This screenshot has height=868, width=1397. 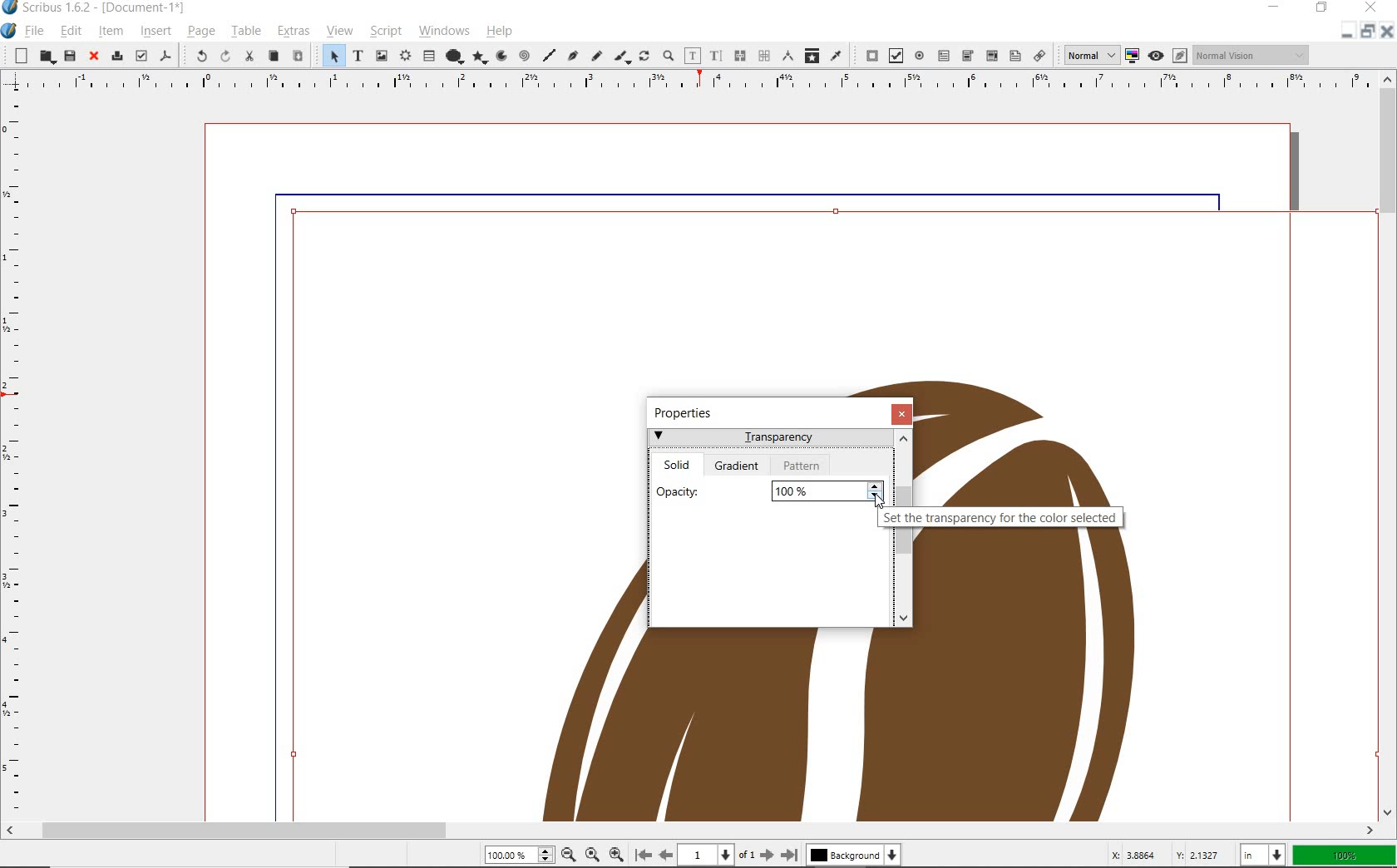 What do you see at coordinates (452, 57) in the screenshot?
I see `shape` at bounding box center [452, 57].